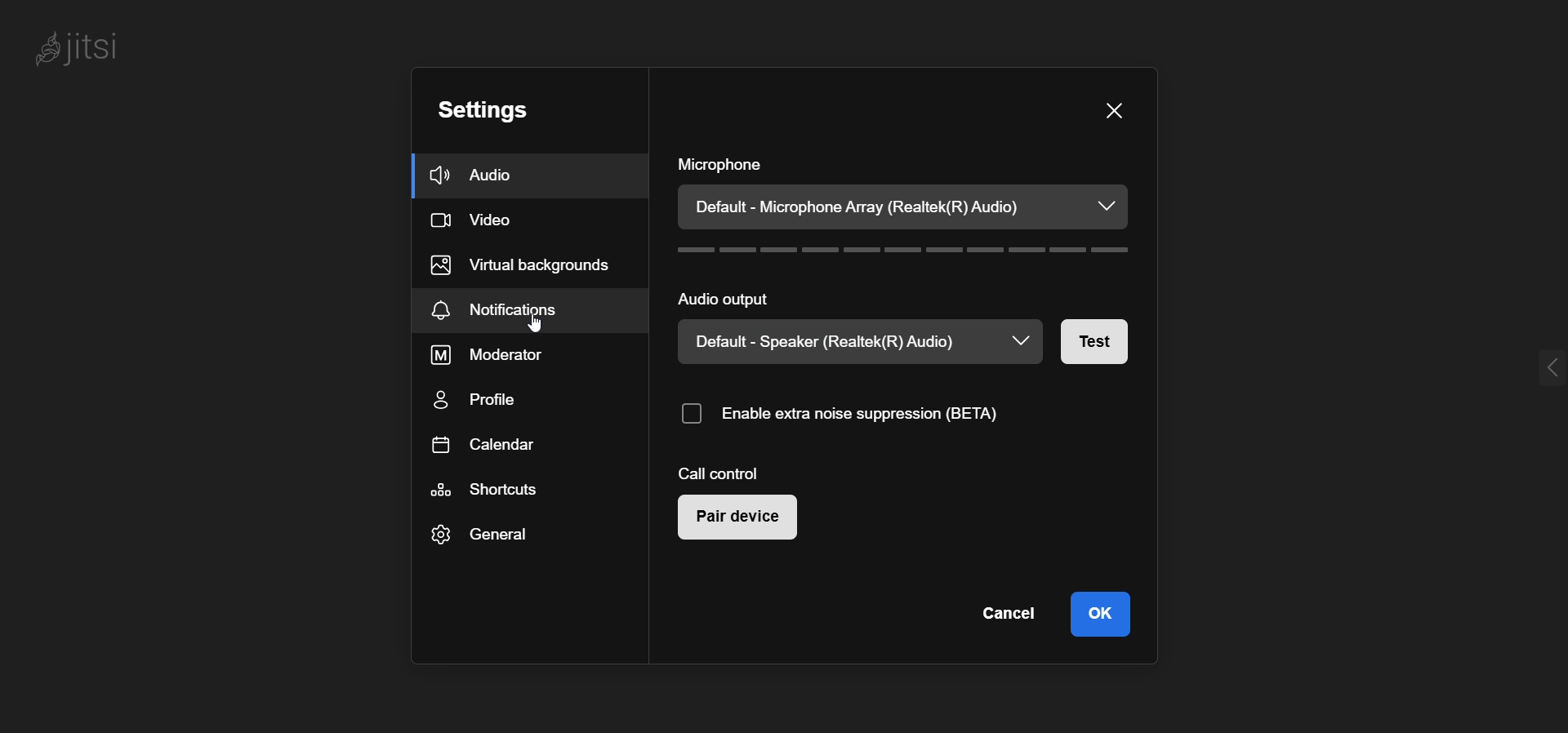 Image resolution: width=1568 pixels, height=733 pixels. I want to click on notification, so click(494, 308).